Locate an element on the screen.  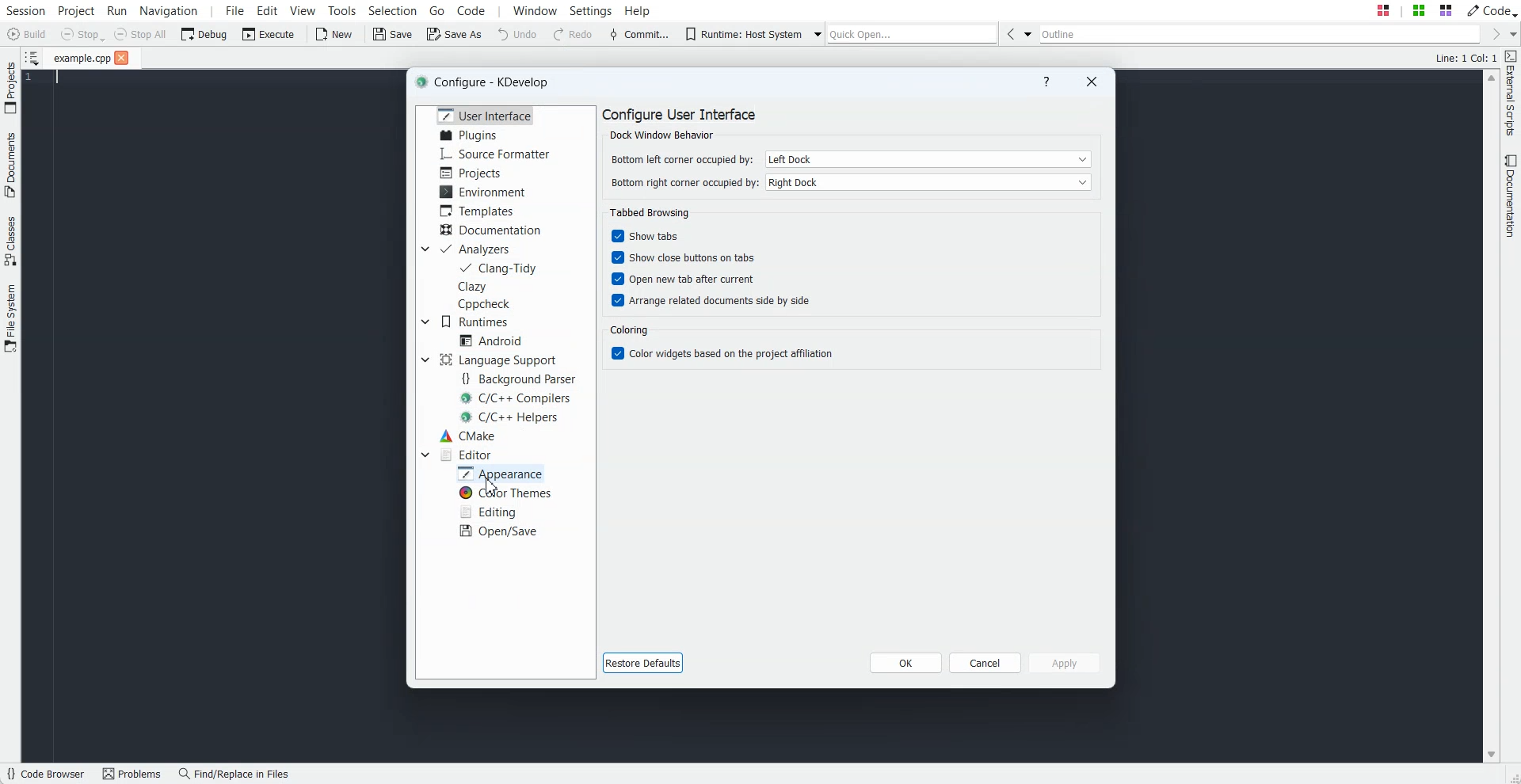
Cursor is located at coordinates (490, 487).